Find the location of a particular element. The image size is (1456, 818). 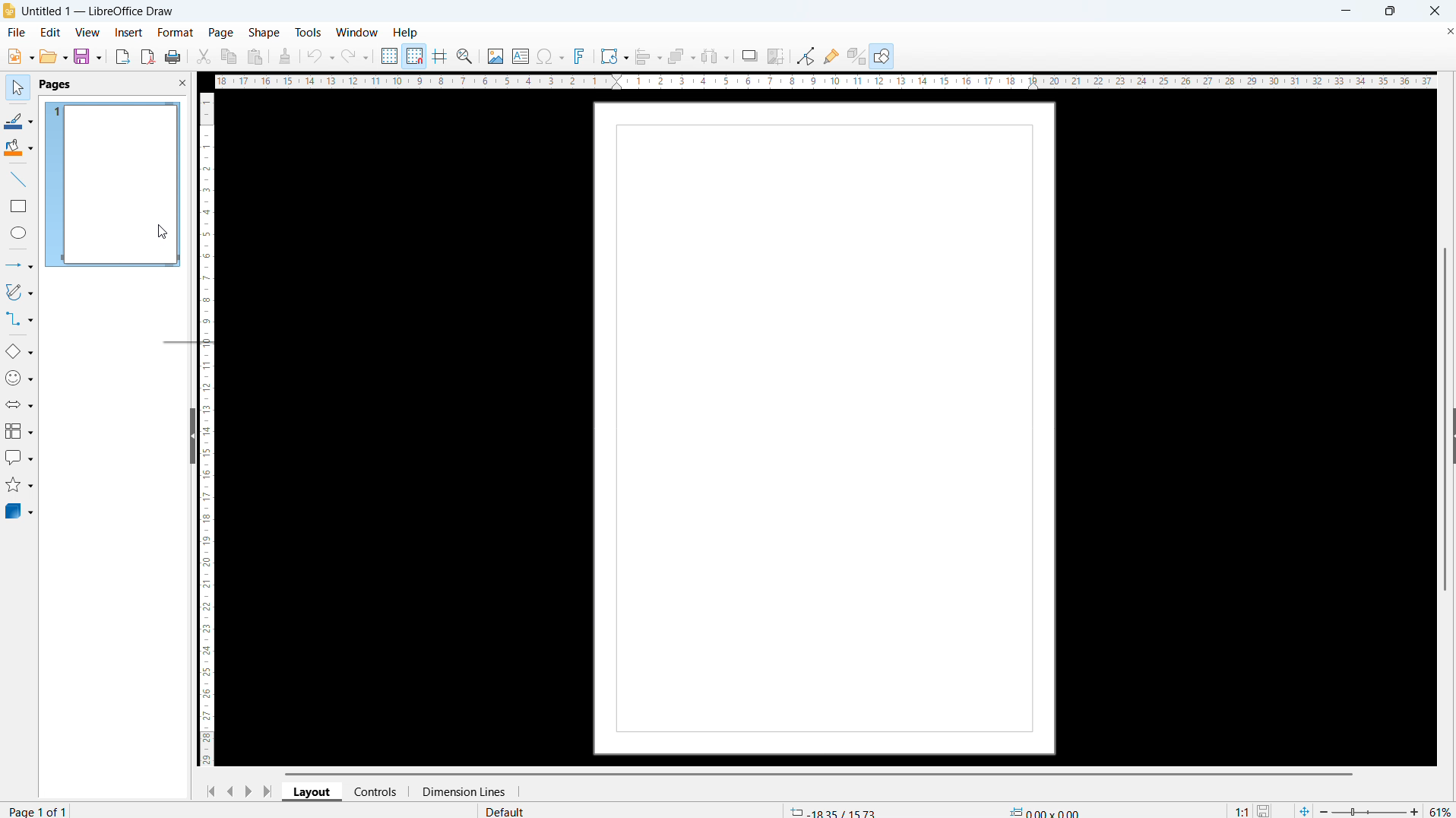

display grid is located at coordinates (388, 55).